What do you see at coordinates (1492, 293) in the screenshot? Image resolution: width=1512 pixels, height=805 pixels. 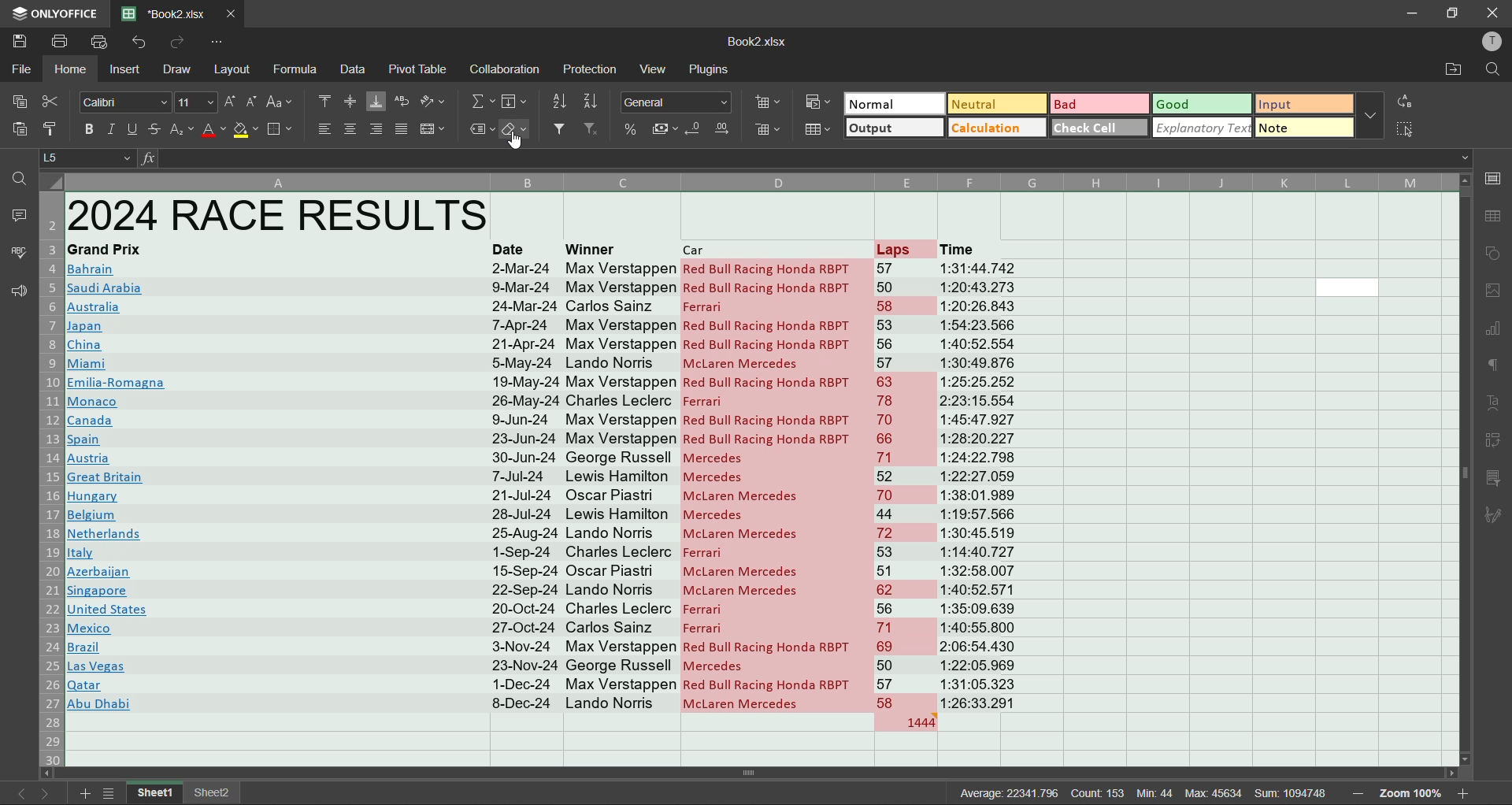 I see `images` at bounding box center [1492, 293].